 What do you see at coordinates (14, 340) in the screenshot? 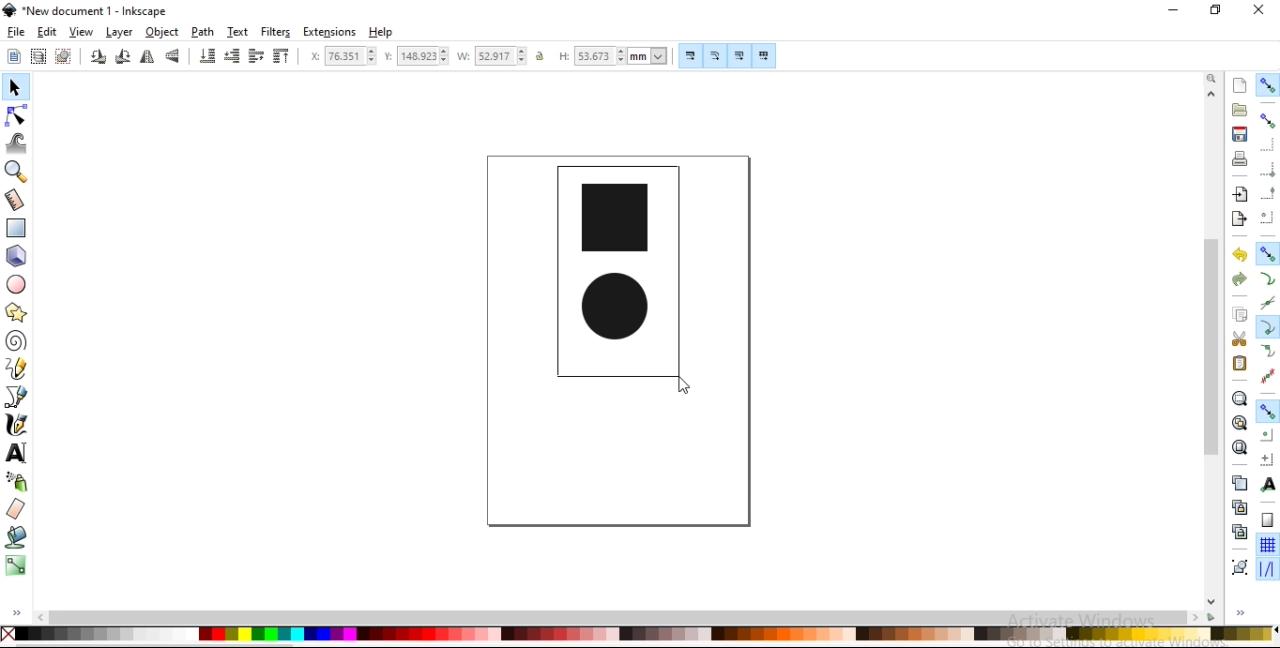
I see `create spiral ` at bounding box center [14, 340].